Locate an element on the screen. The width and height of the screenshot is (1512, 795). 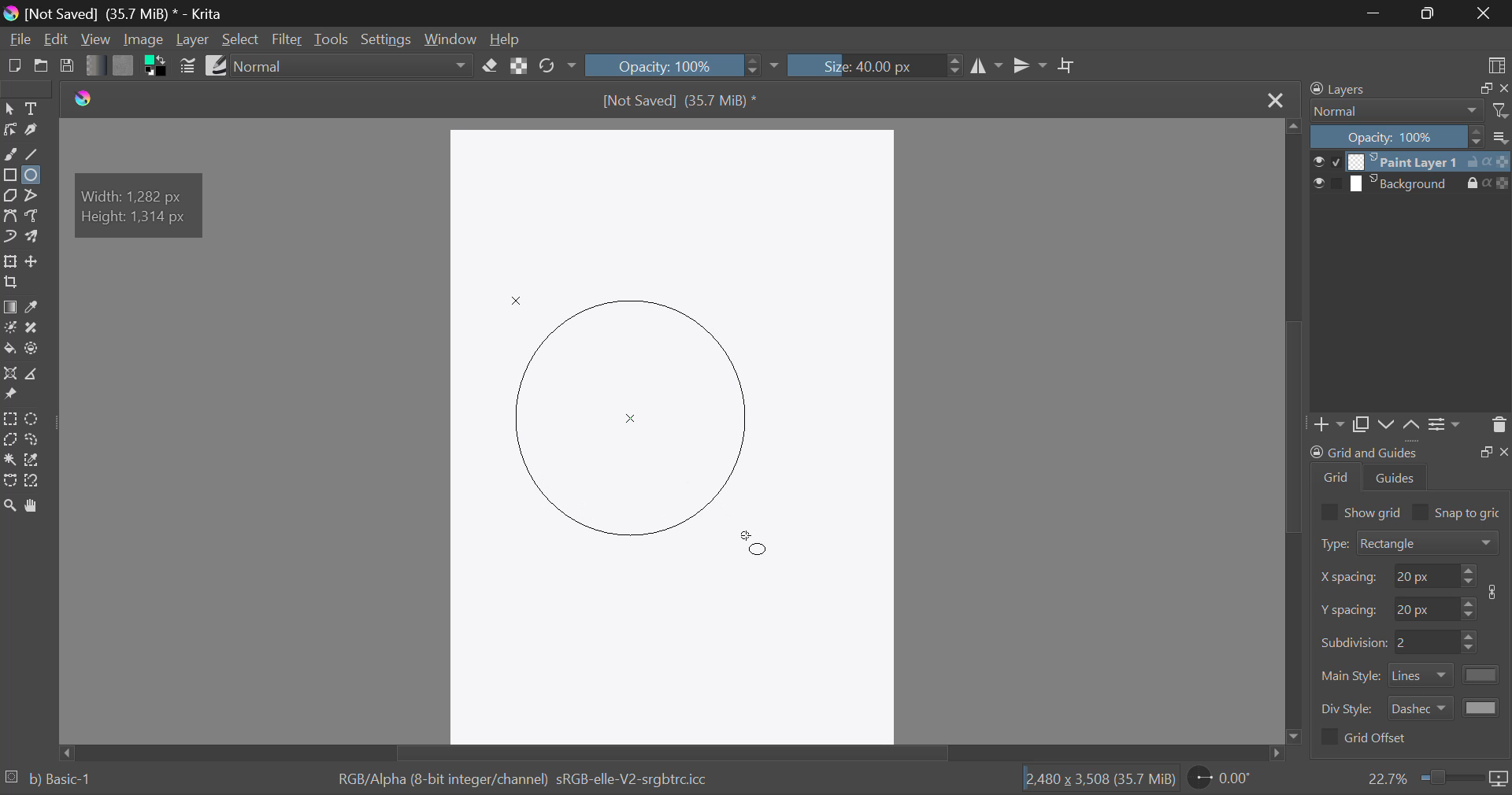
Bezier Curve is located at coordinates (10, 215).